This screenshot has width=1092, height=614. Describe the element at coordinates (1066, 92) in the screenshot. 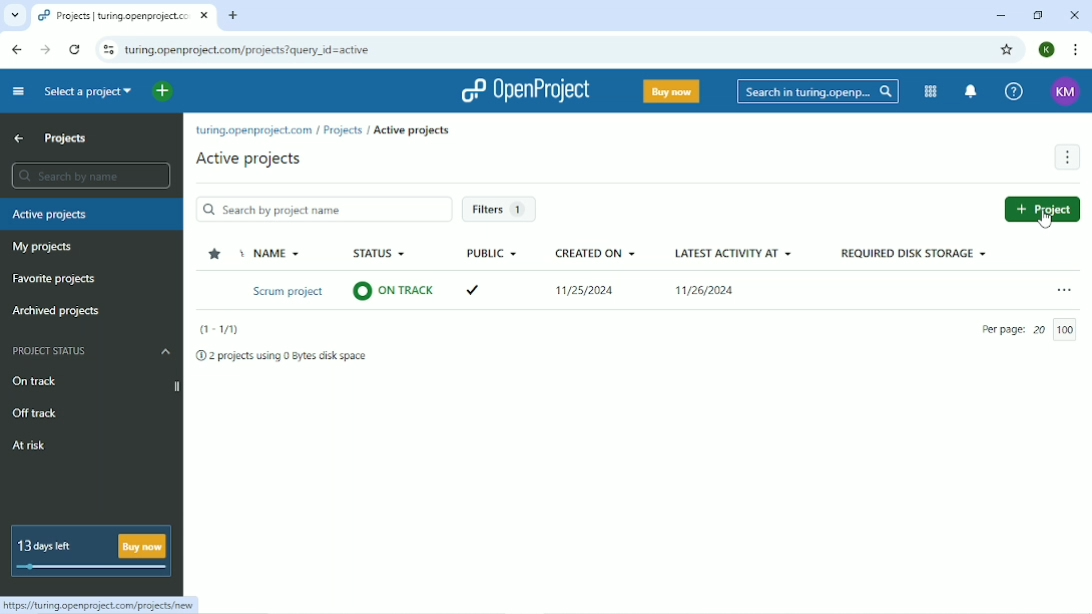

I see `KM` at that location.